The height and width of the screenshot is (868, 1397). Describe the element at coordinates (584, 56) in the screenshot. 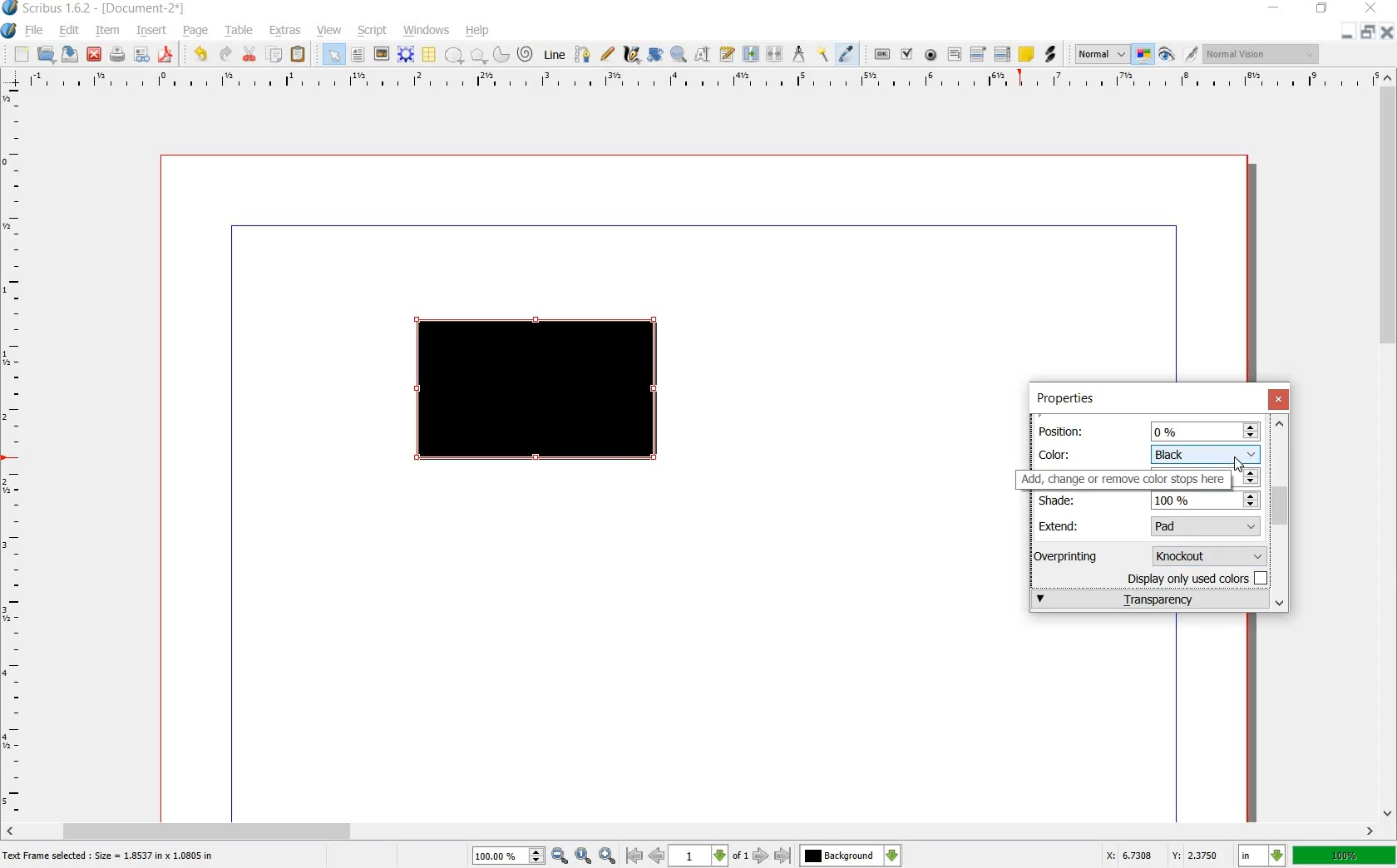

I see `bezier curve` at that location.